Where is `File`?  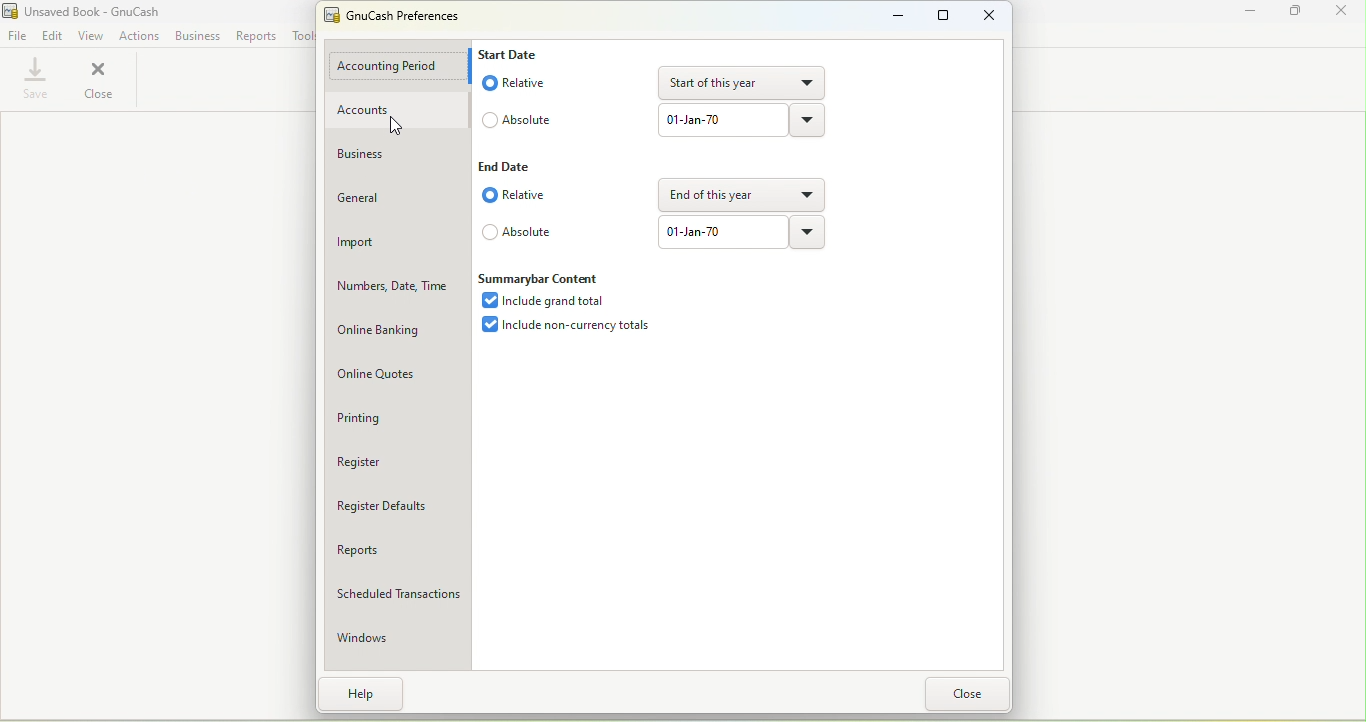
File is located at coordinates (19, 34).